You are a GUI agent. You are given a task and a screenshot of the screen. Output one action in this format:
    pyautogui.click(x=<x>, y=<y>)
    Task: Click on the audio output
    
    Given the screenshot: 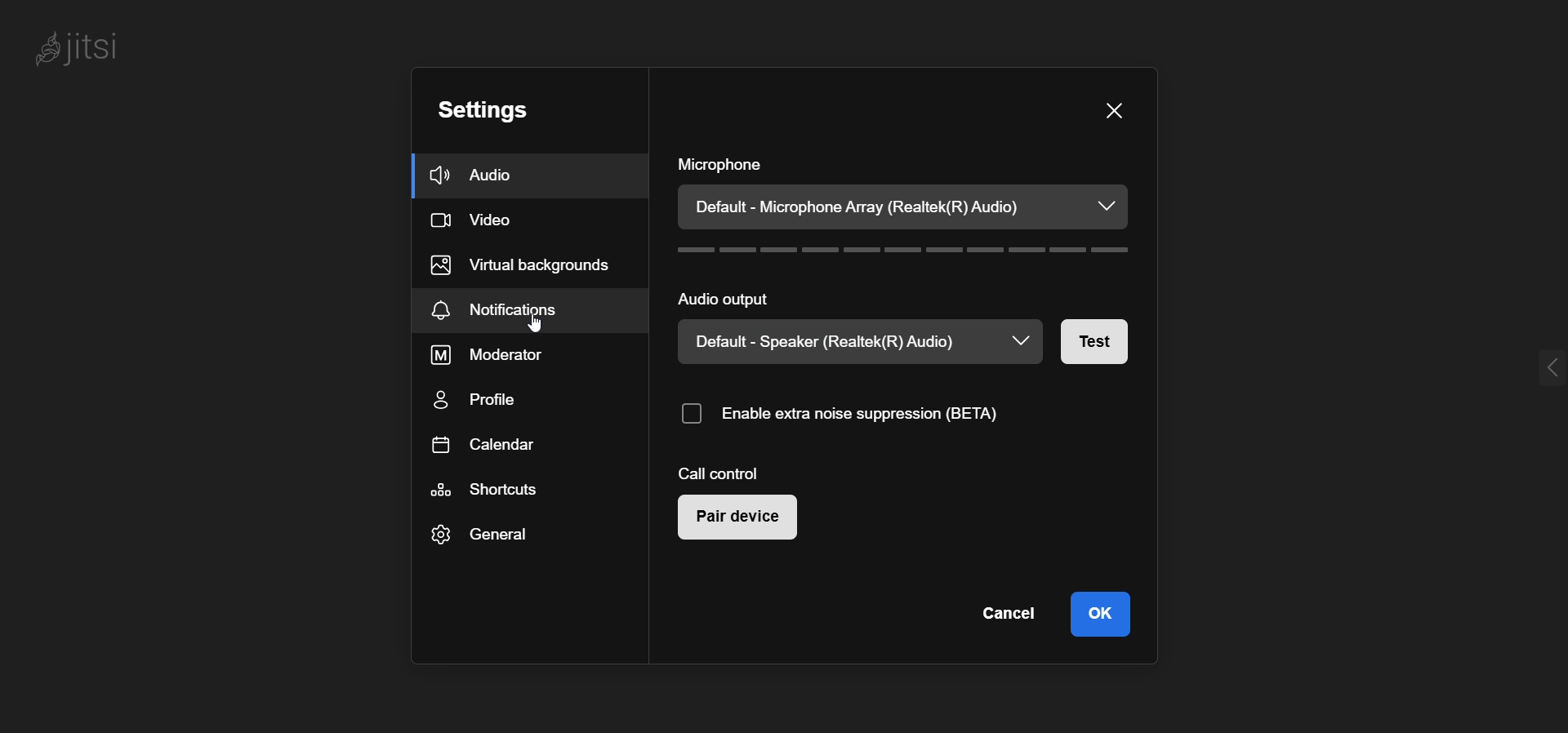 What is the action you would take?
    pyautogui.click(x=728, y=300)
    